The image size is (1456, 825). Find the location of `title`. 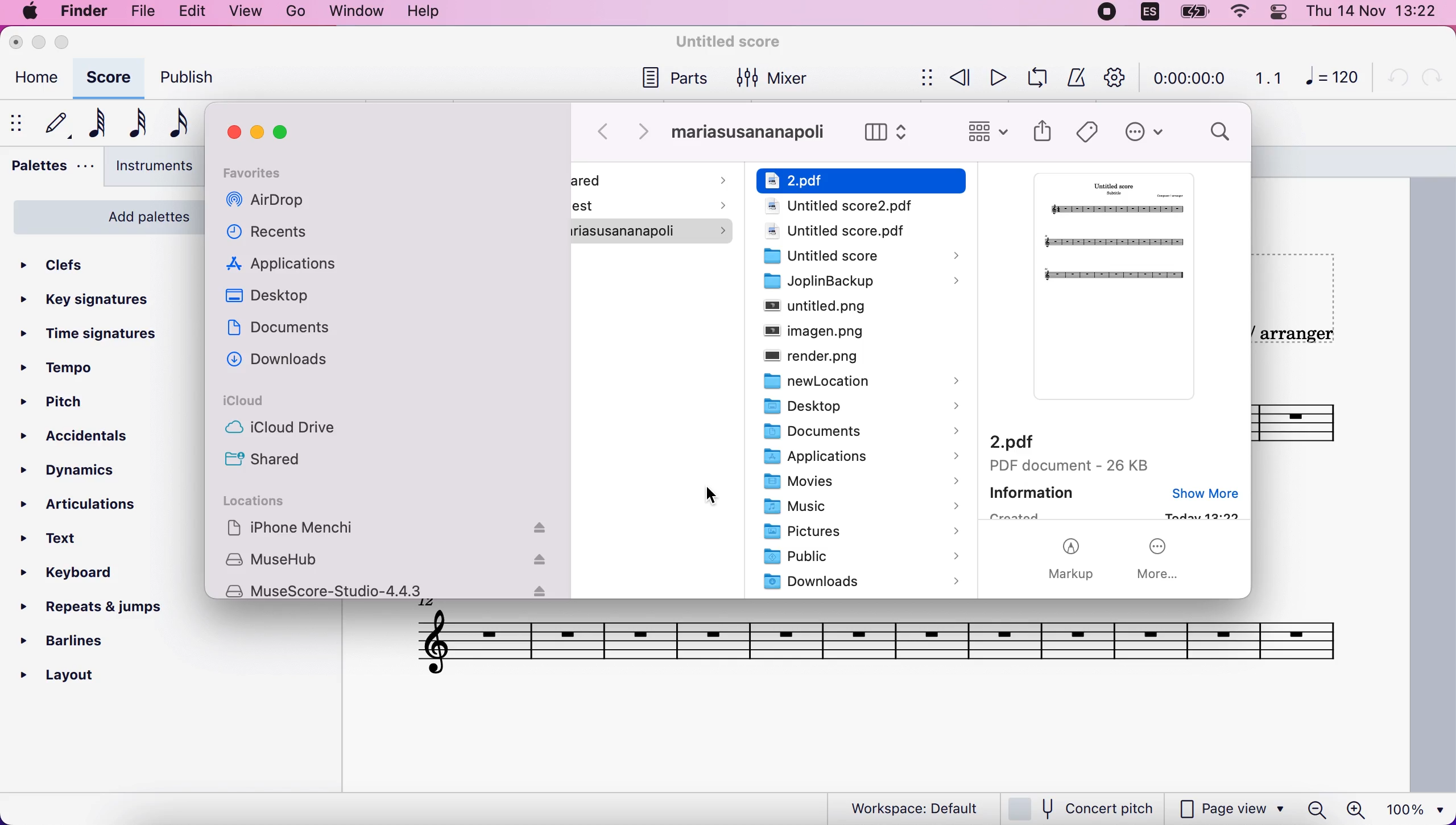

title is located at coordinates (729, 40).